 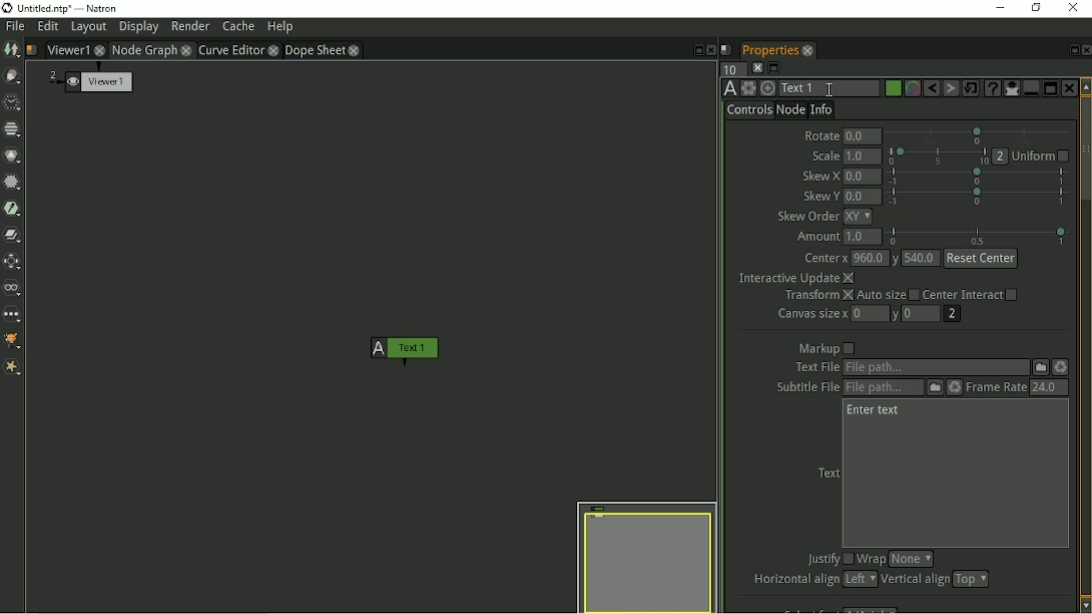 I want to click on File, so click(x=15, y=27).